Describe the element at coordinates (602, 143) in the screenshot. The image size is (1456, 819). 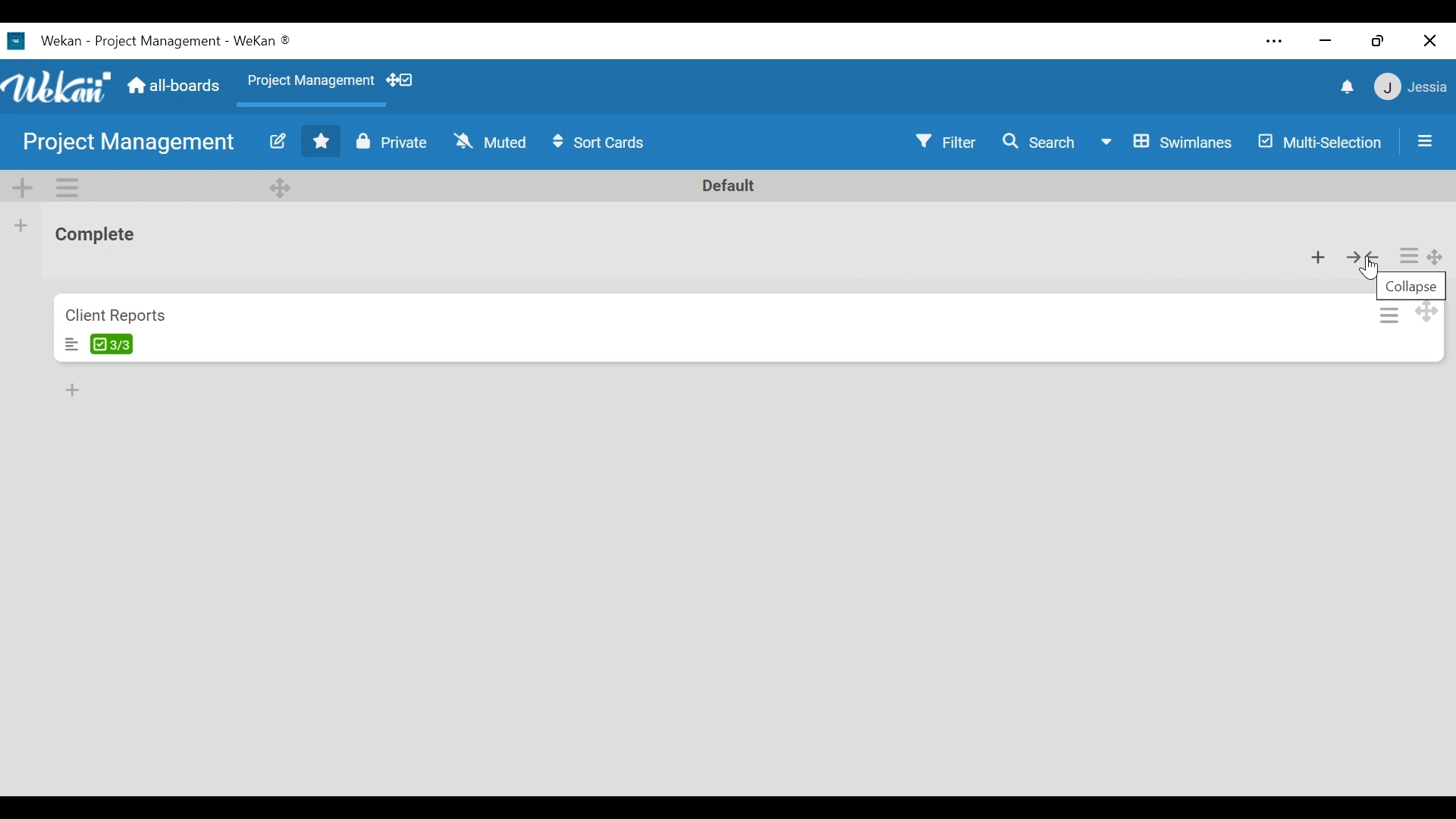
I see `Sort Cards` at that location.